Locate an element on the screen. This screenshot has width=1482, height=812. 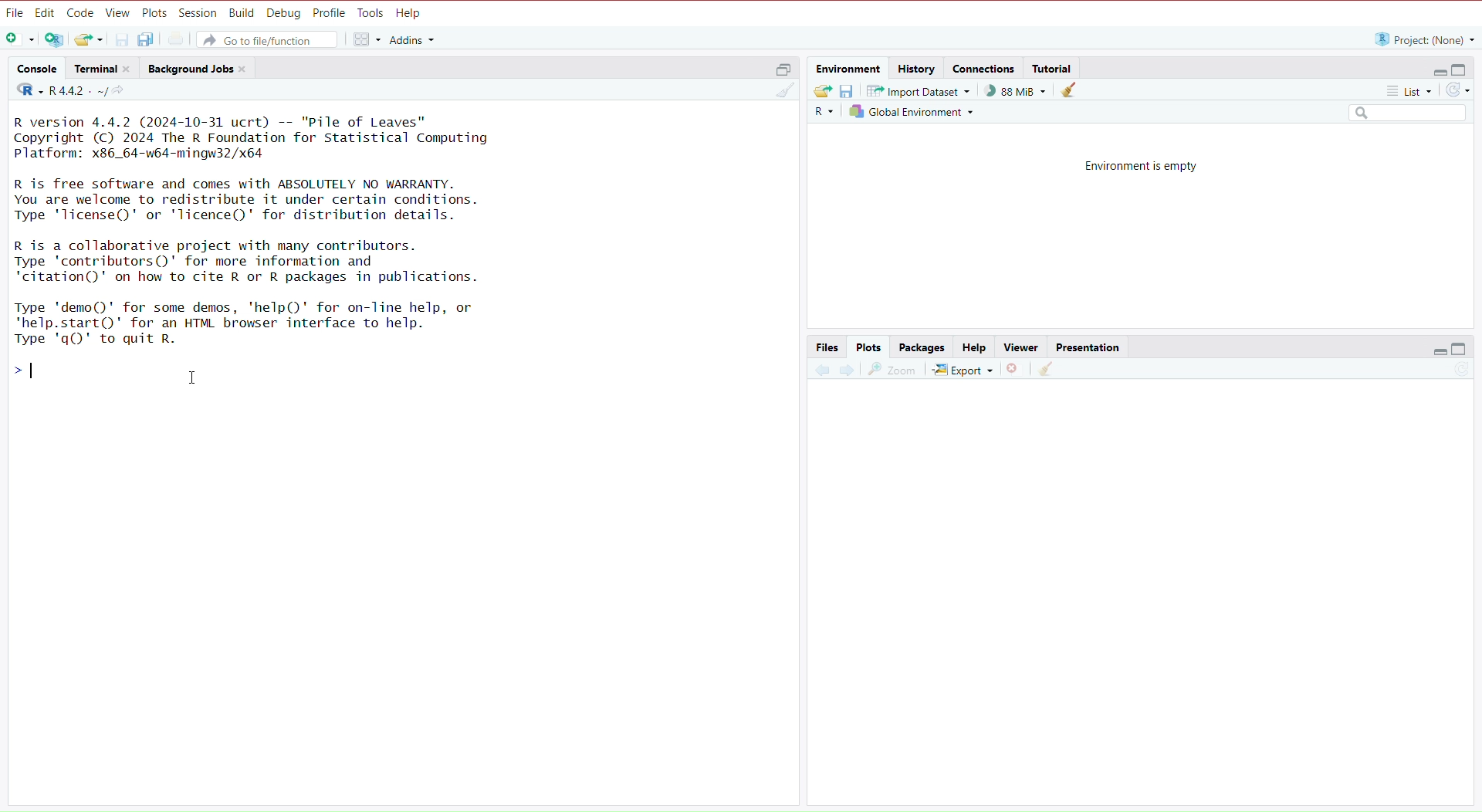
Full Height is located at coordinates (1461, 347).